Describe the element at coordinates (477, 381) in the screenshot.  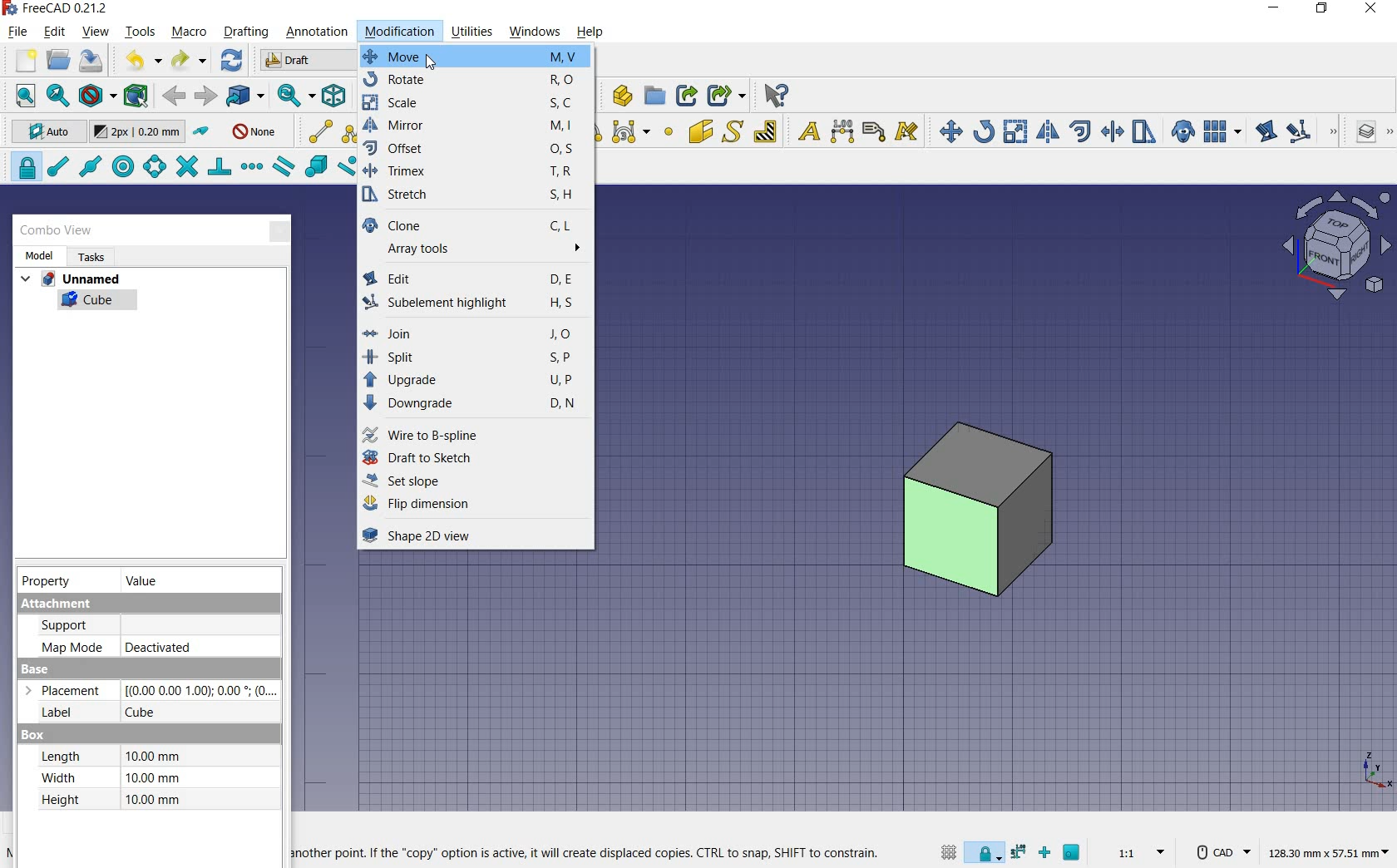
I see `upgrade` at that location.